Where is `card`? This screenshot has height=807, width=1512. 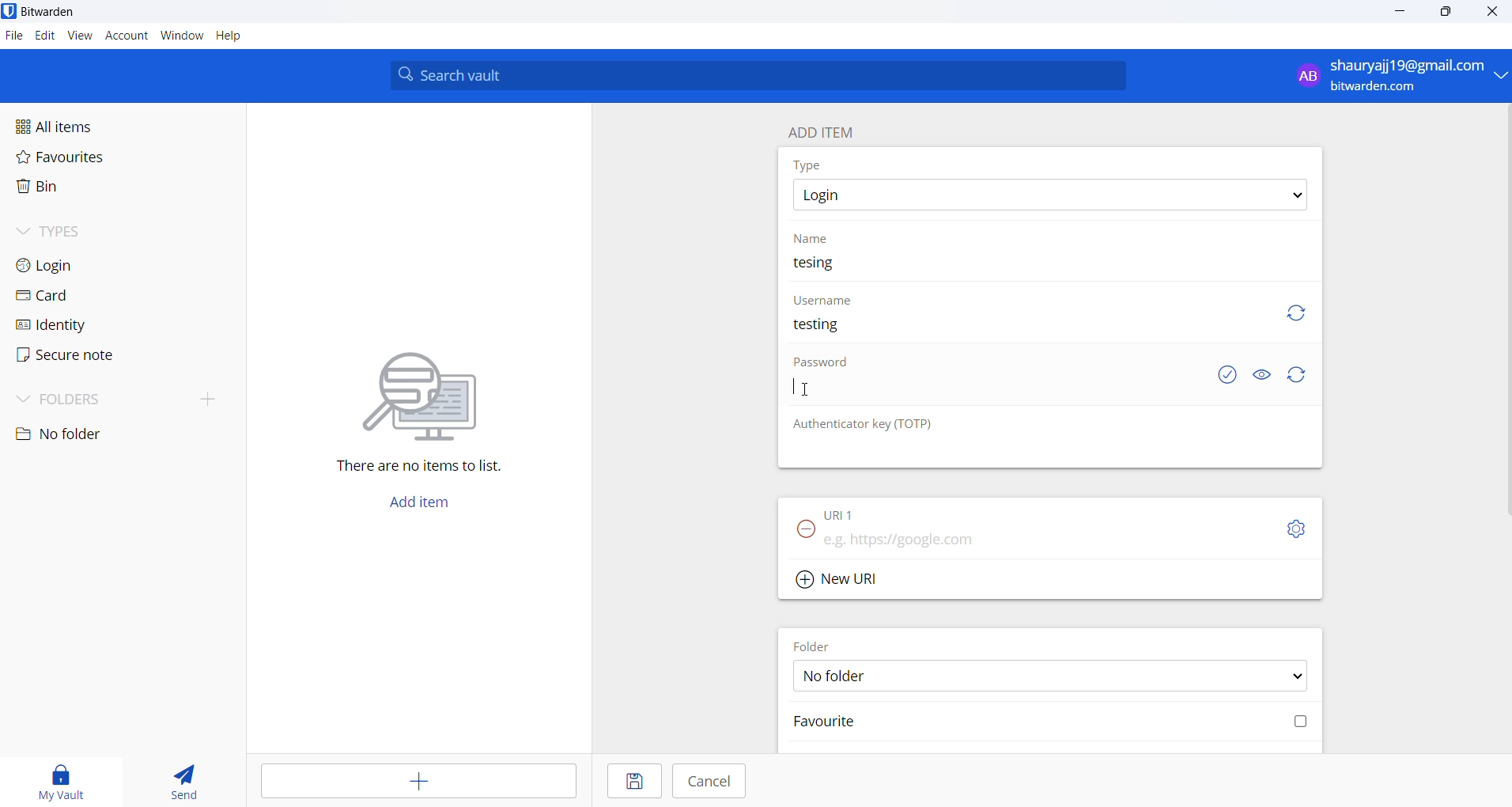 card is located at coordinates (63, 297).